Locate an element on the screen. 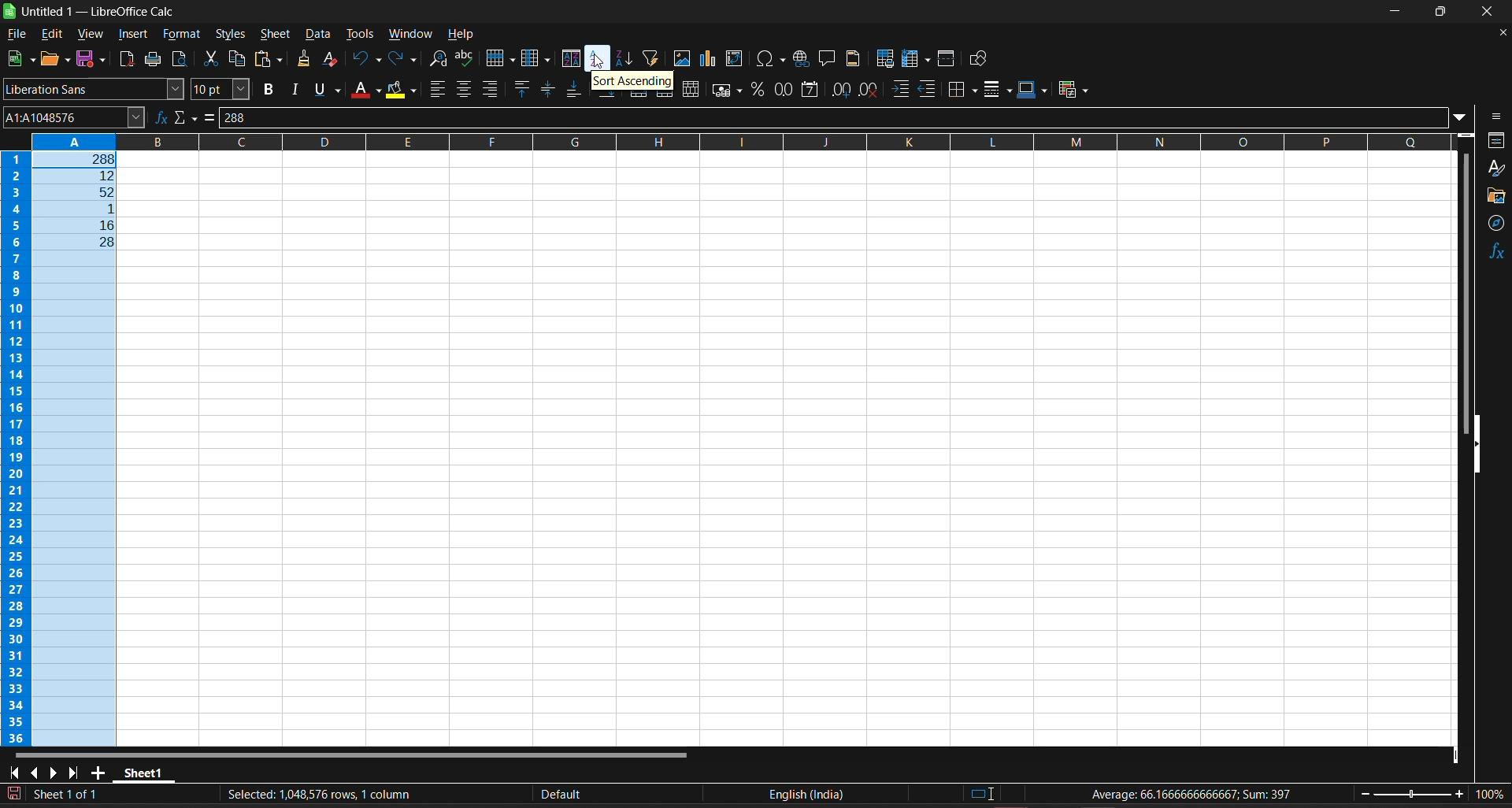  formula is located at coordinates (211, 117).